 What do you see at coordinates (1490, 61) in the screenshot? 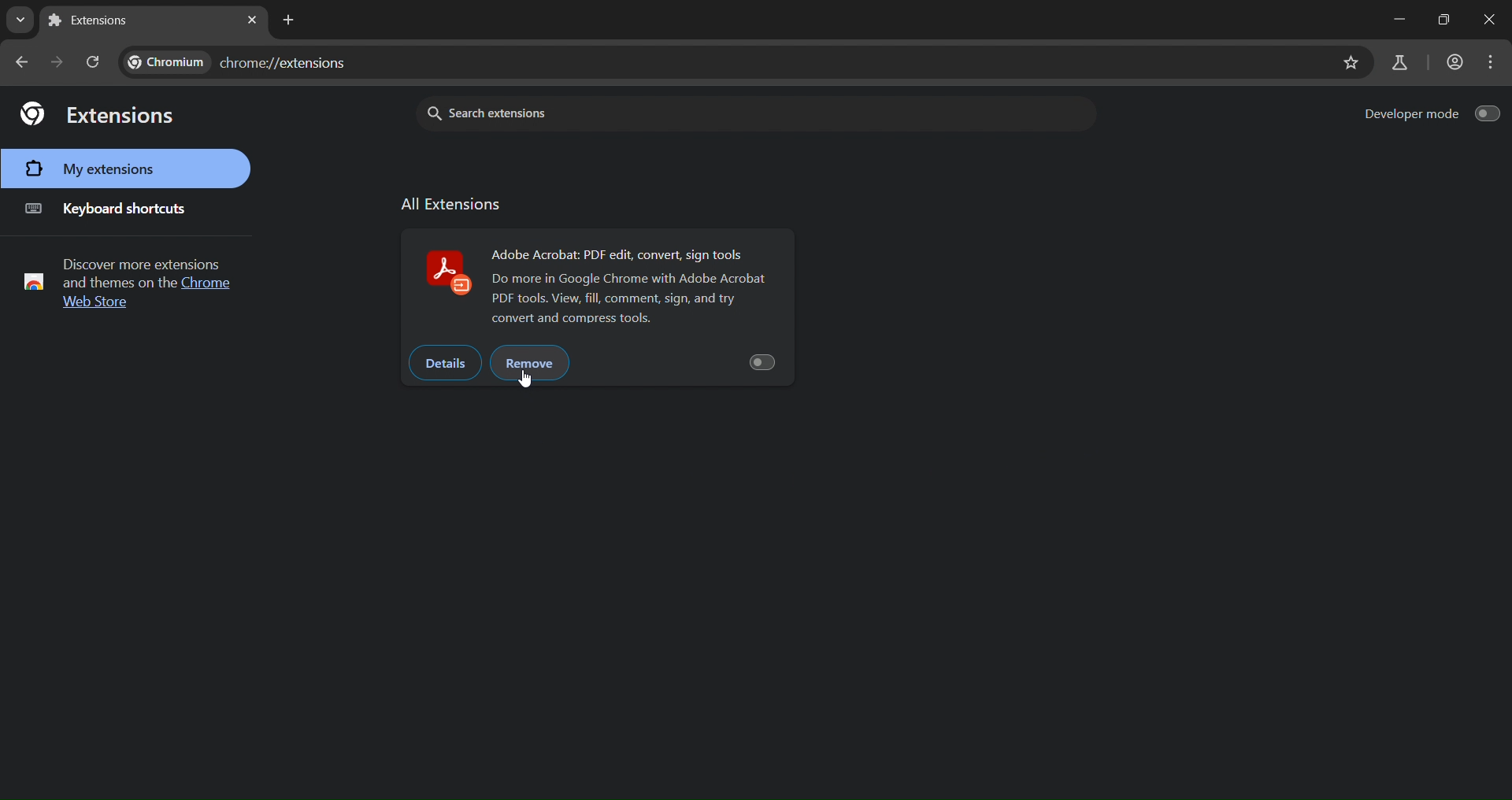
I see `menu` at bounding box center [1490, 61].